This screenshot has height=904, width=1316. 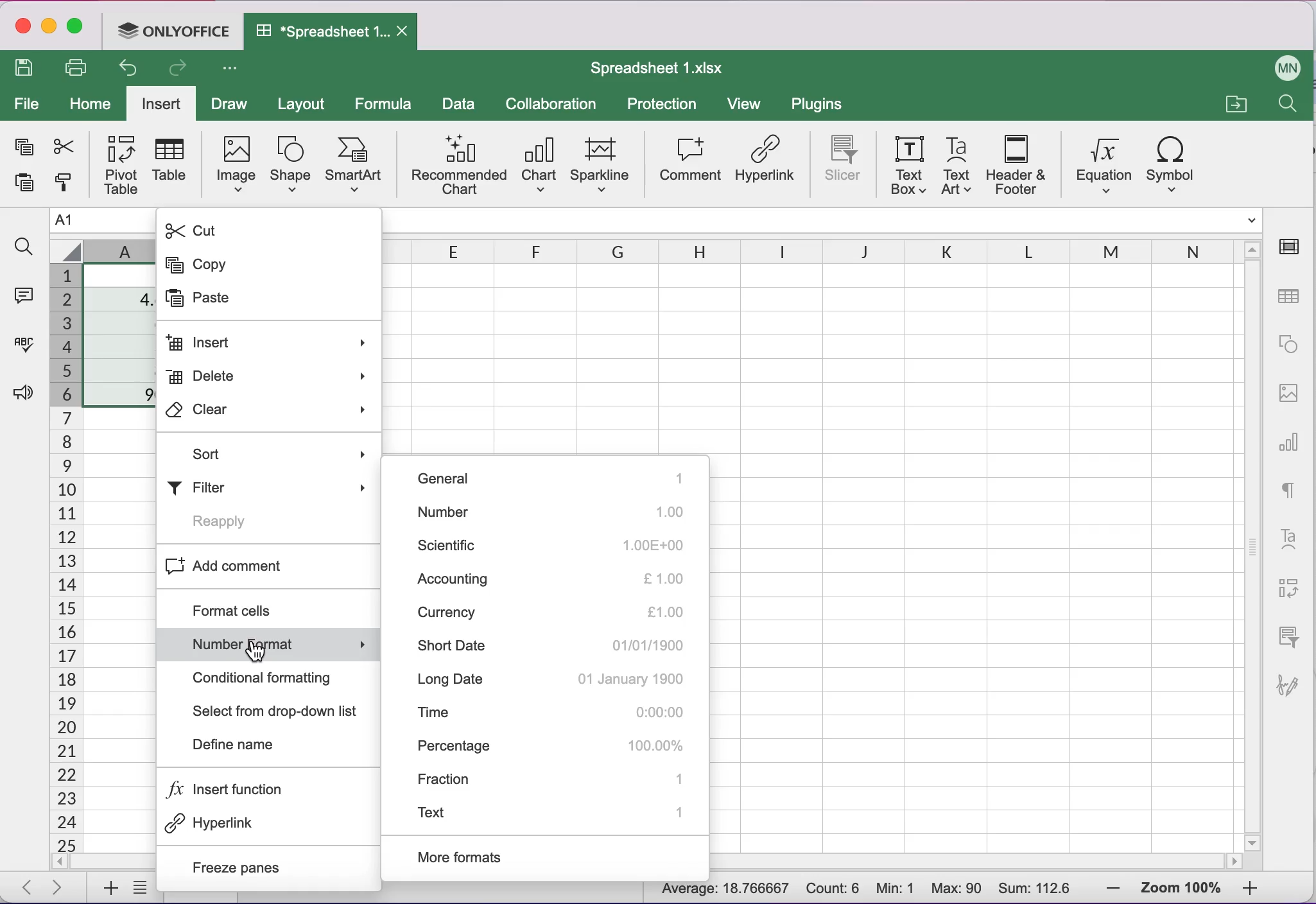 What do you see at coordinates (60, 184) in the screenshot?
I see `copy style` at bounding box center [60, 184].